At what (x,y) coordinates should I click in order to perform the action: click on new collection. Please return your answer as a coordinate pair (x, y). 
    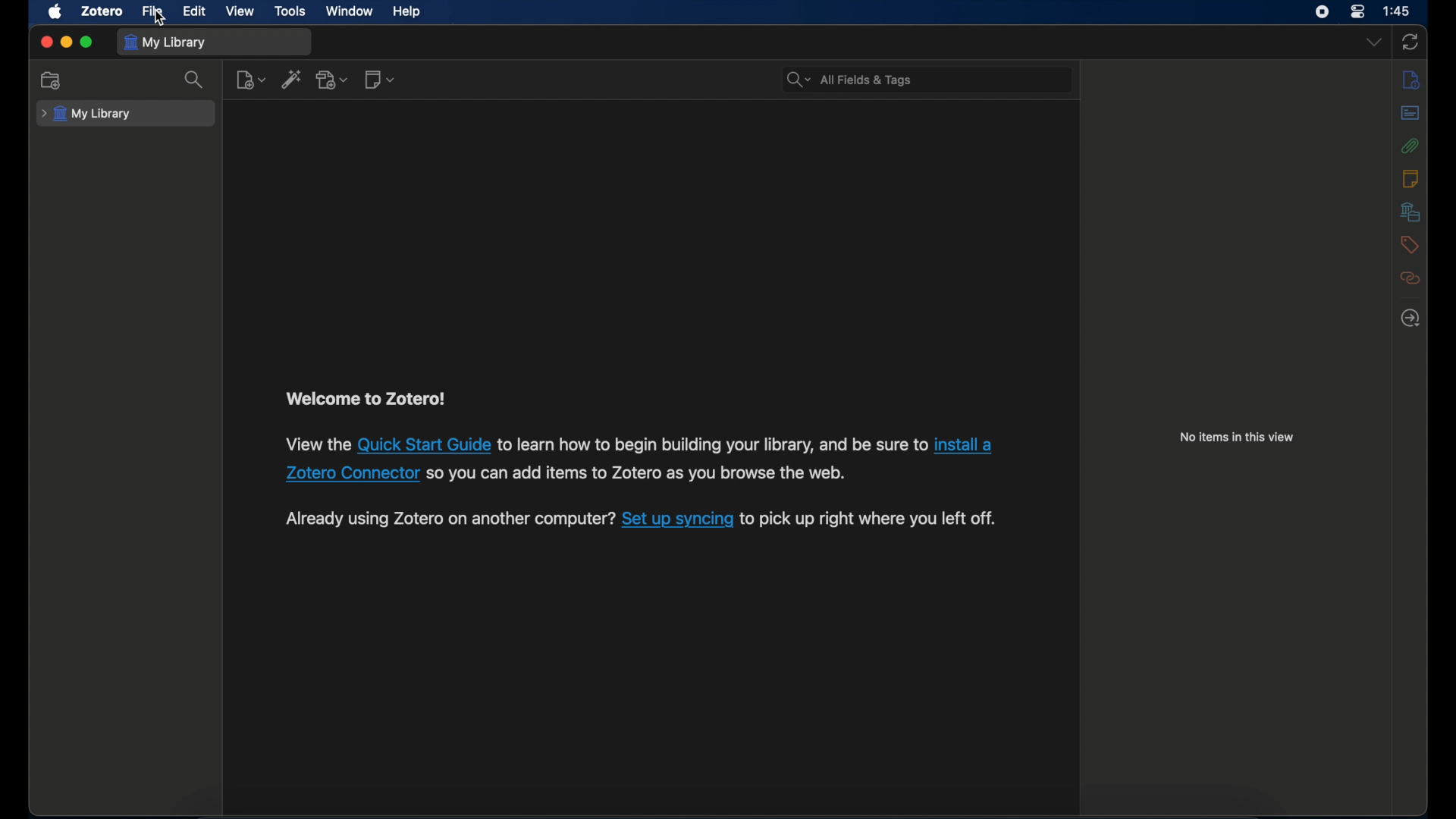
    Looking at the image, I should click on (53, 80).